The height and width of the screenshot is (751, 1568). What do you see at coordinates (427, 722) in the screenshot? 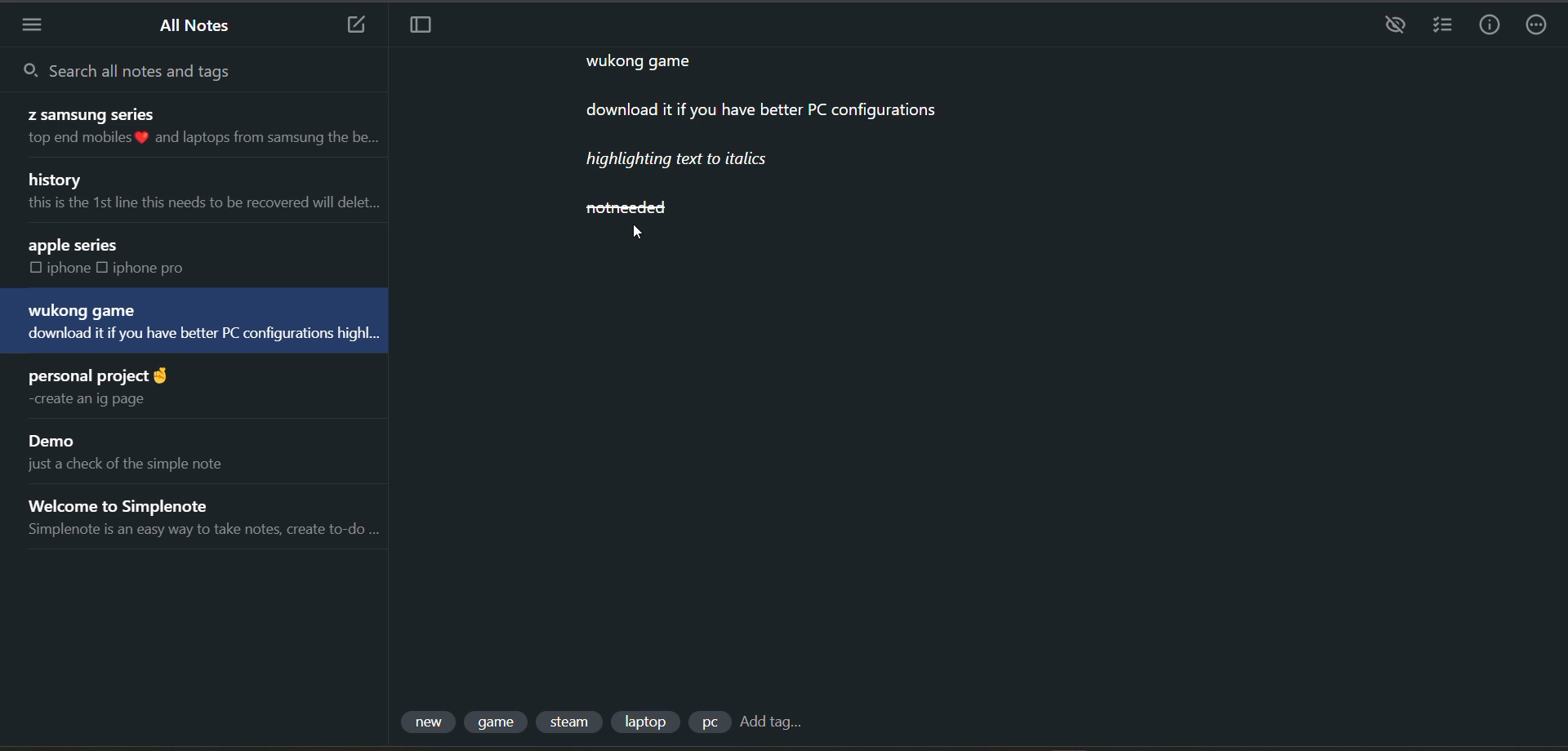
I see `tag 1` at bounding box center [427, 722].